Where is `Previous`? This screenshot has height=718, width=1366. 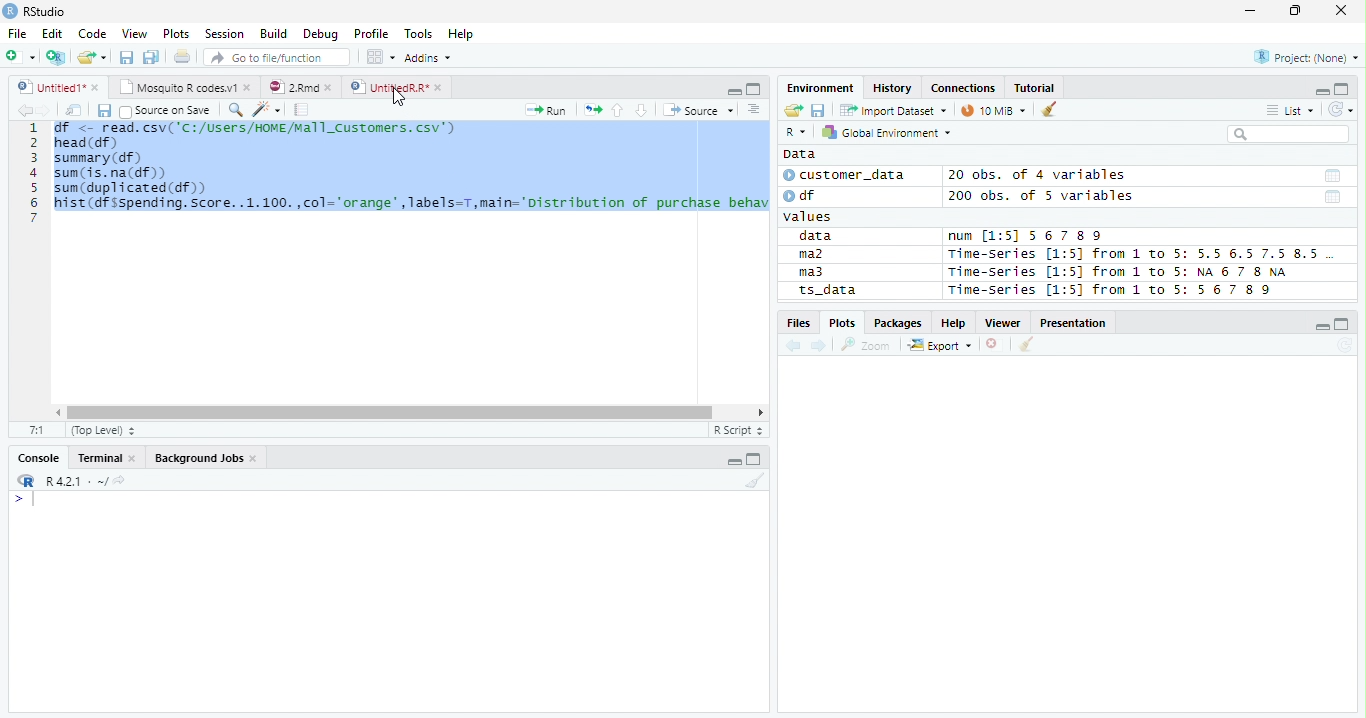
Previous is located at coordinates (796, 346).